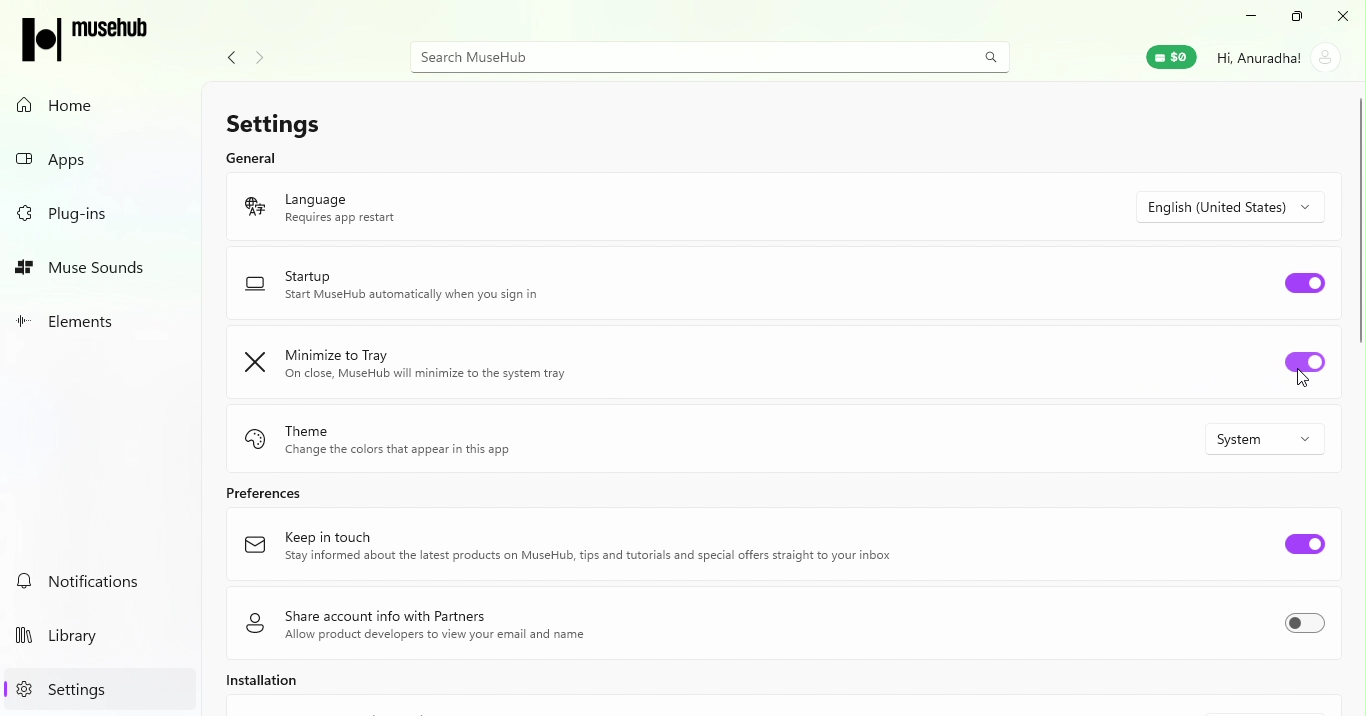  I want to click on Search bar, so click(719, 54).